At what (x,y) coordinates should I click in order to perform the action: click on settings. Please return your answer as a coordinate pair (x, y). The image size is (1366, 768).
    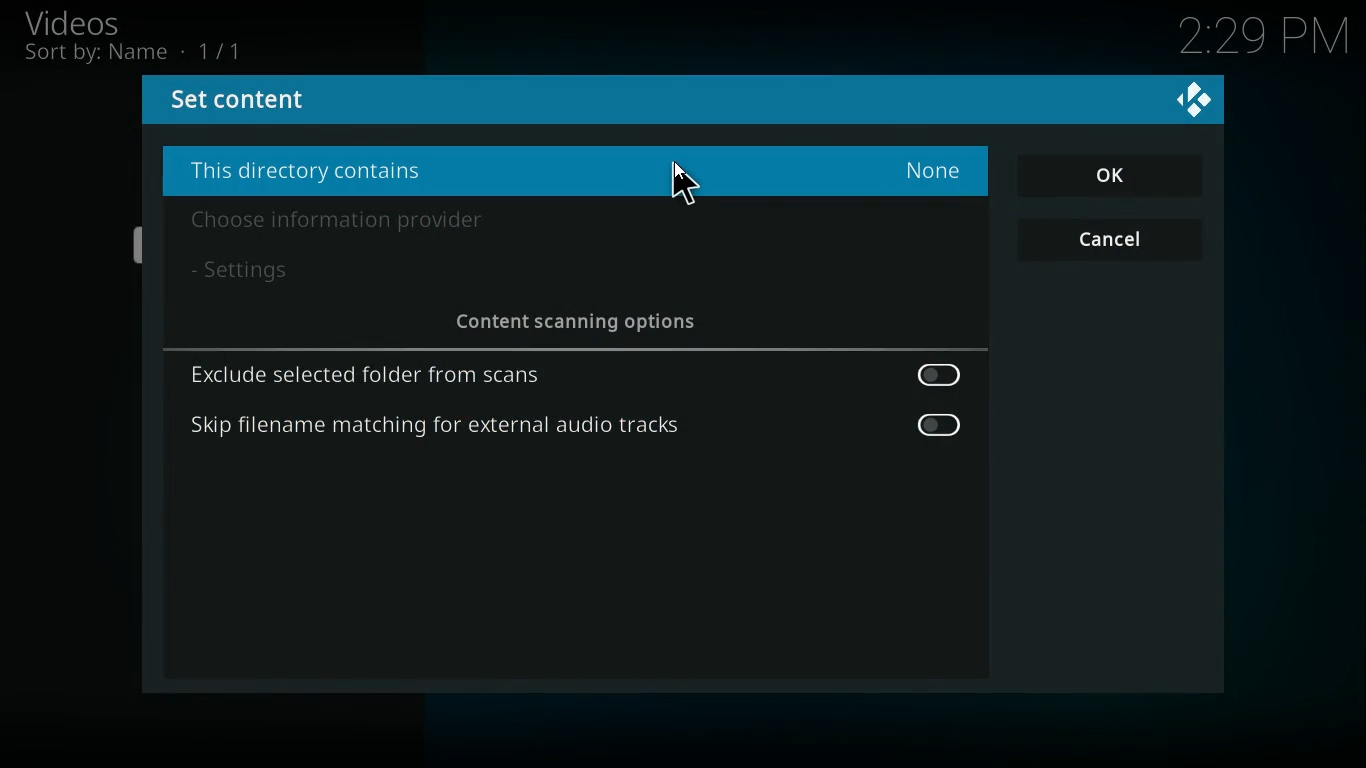
    Looking at the image, I should click on (261, 275).